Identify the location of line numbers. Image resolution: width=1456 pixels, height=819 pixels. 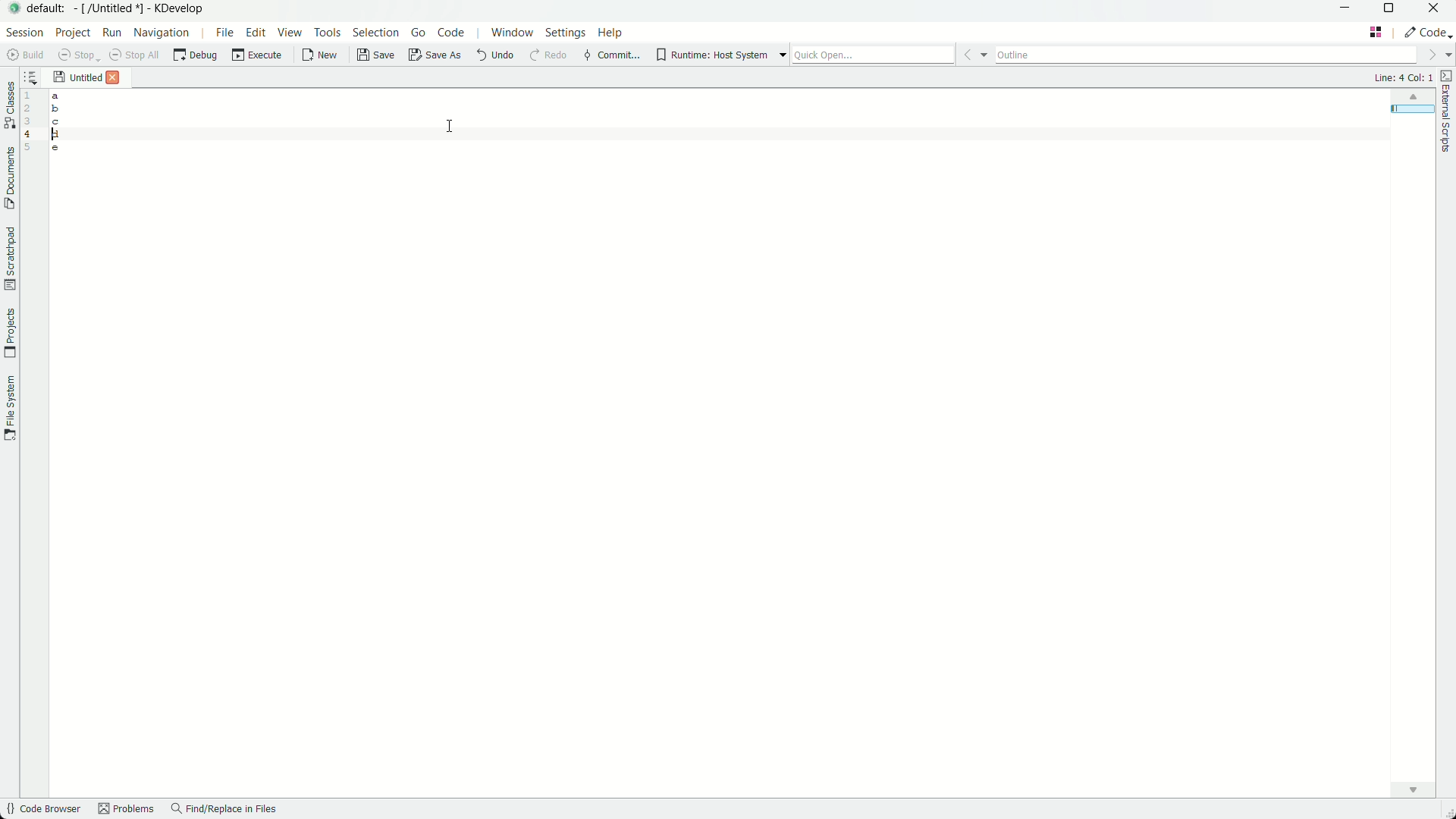
(28, 120).